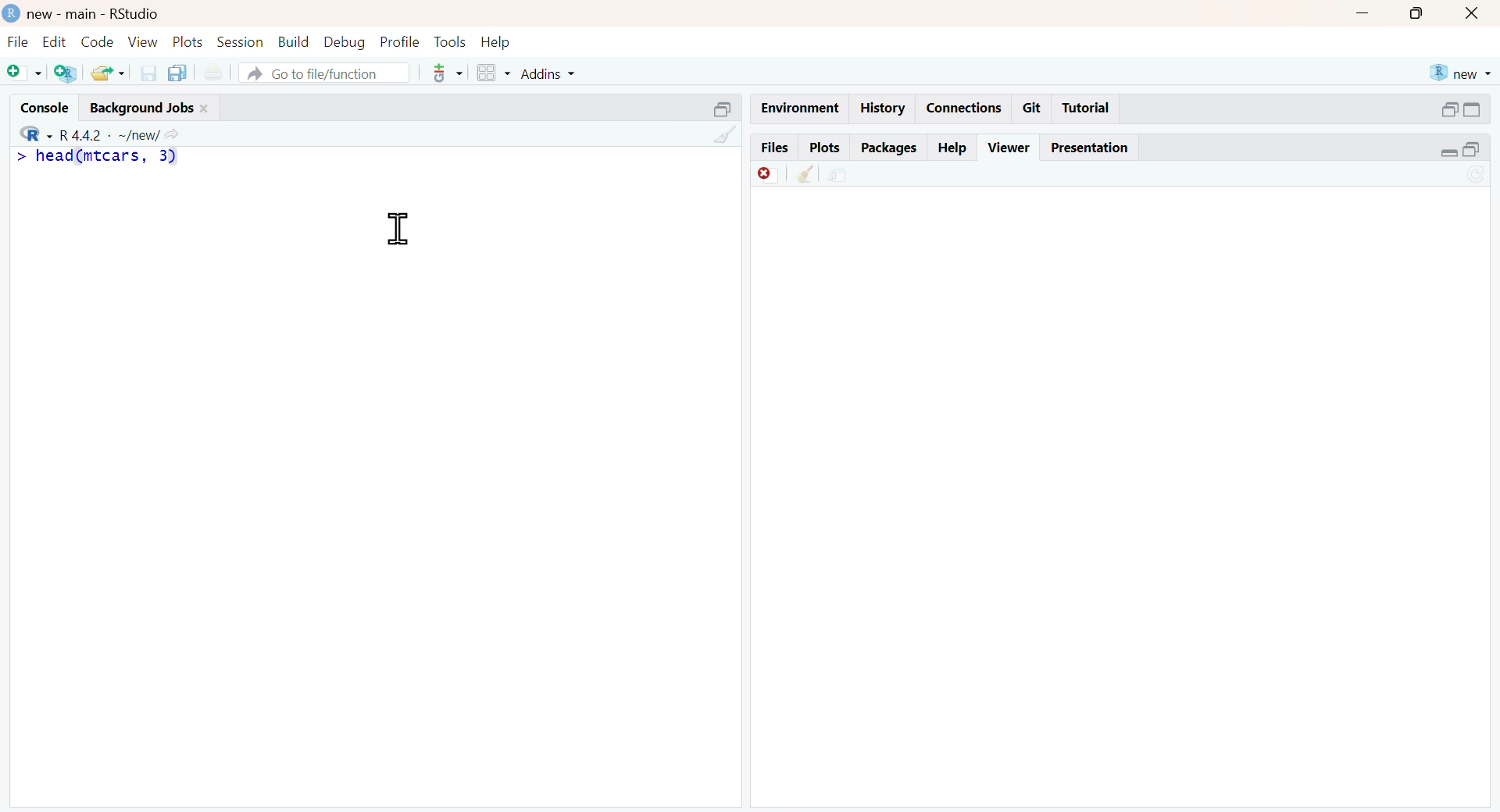 Image resolution: width=1500 pixels, height=812 pixels. What do you see at coordinates (144, 72) in the screenshot?
I see `Save current doc` at bounding box center [144, 72].